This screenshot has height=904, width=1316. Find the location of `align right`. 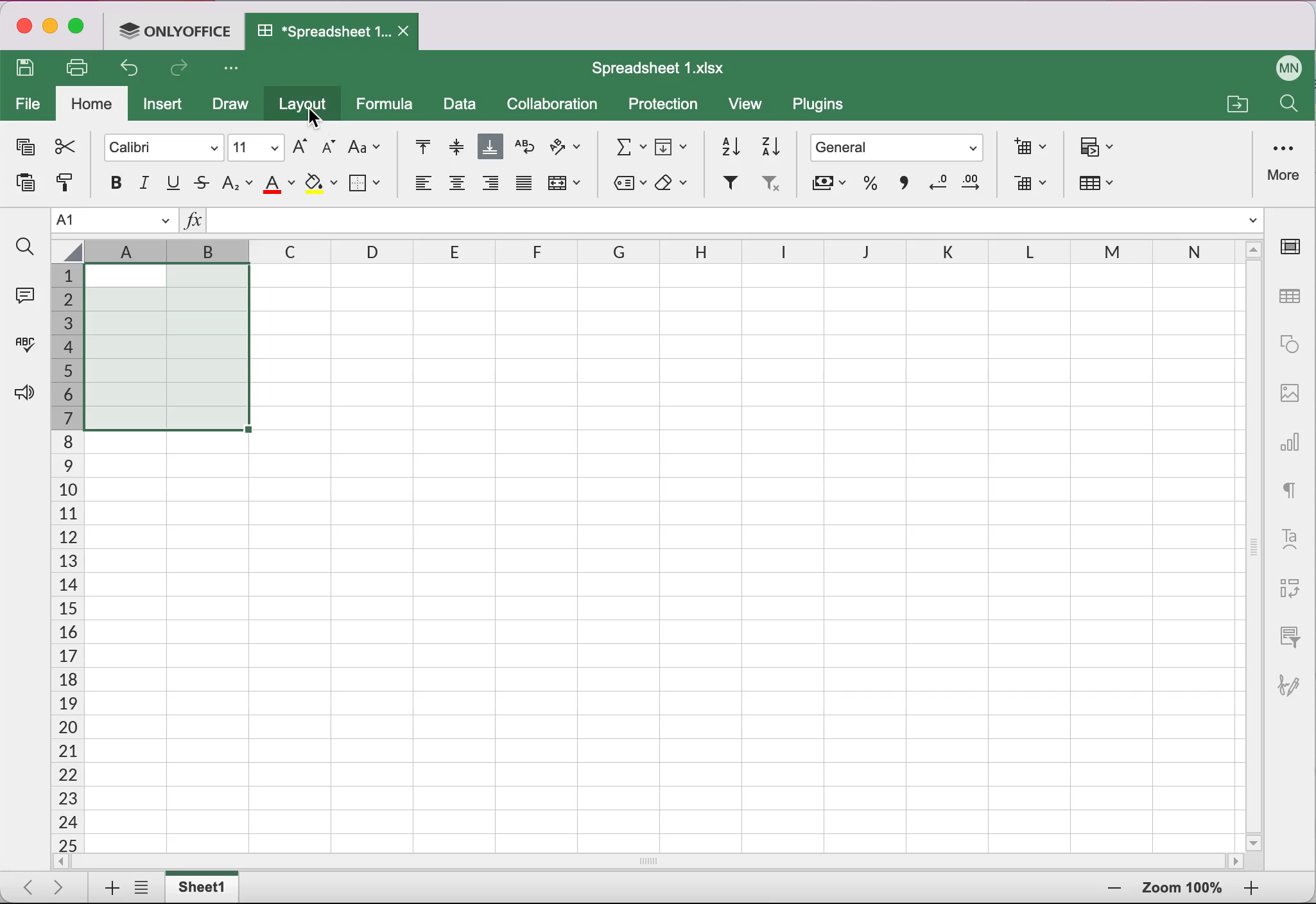

align right is located at coordinates (491, 187).